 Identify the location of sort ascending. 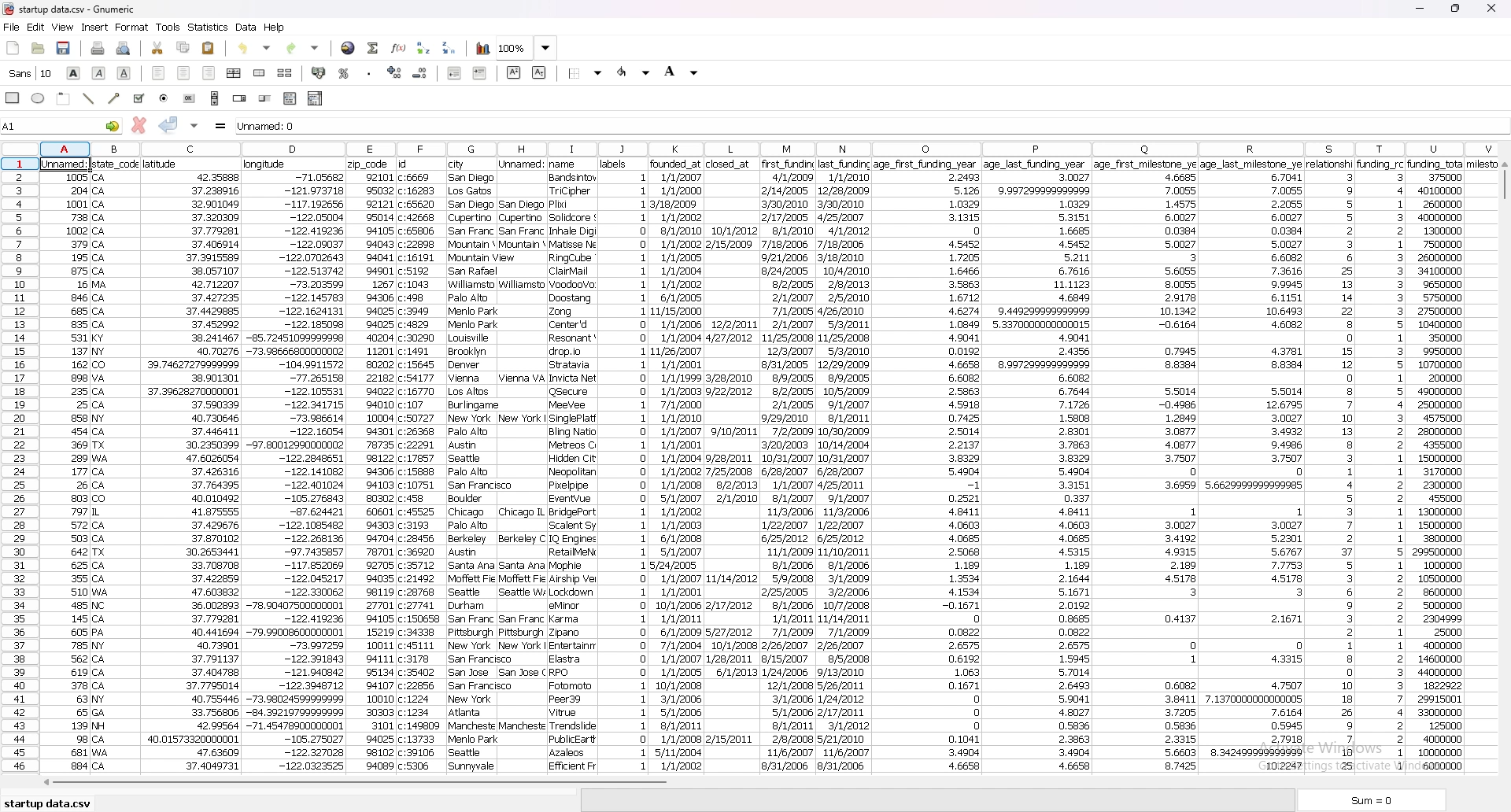
(424, 48).